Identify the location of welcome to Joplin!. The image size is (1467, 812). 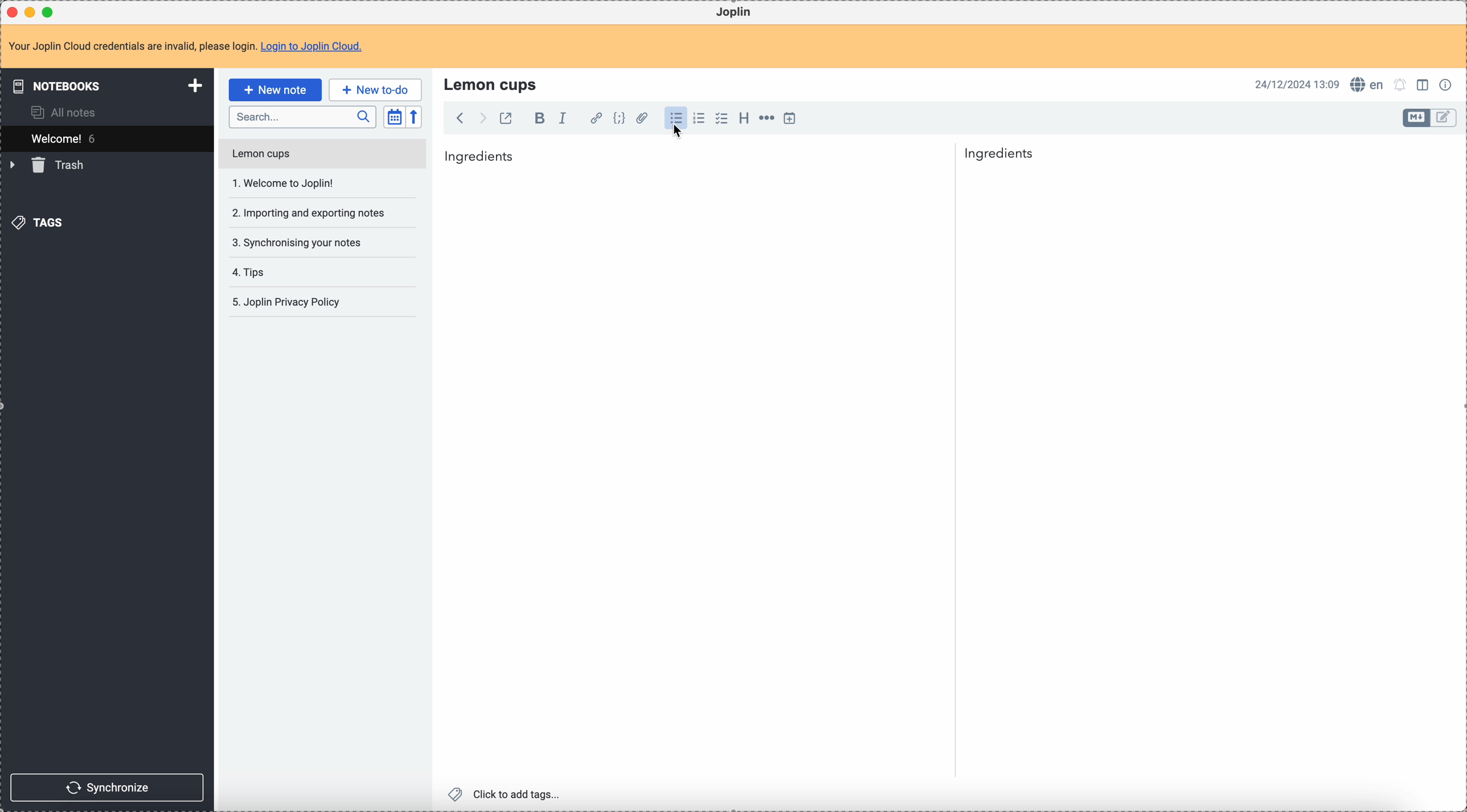
(284, 183).